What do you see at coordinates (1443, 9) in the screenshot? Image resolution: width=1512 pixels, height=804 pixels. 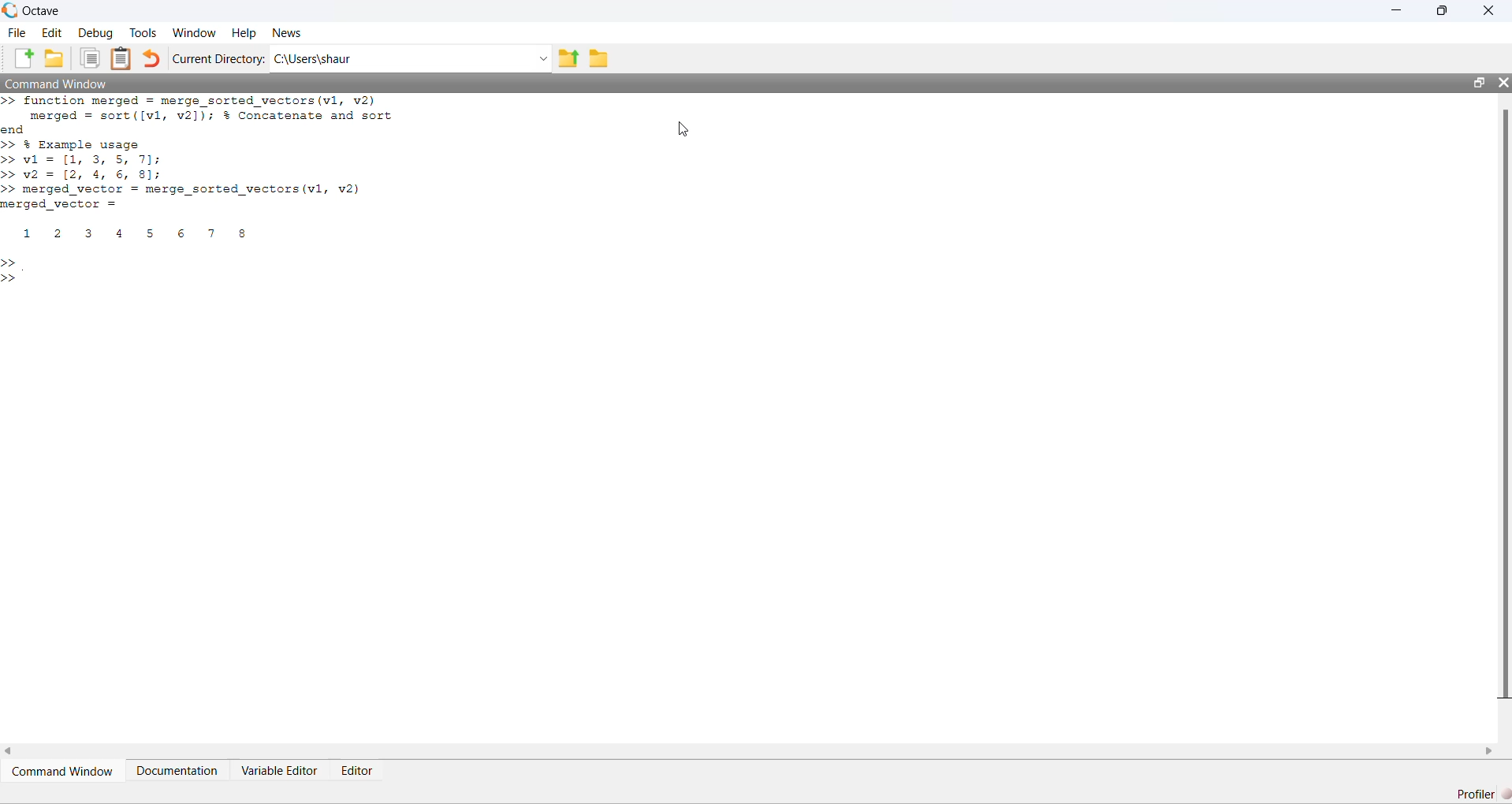 I see `maximise` at bounding box center [1443, 9].